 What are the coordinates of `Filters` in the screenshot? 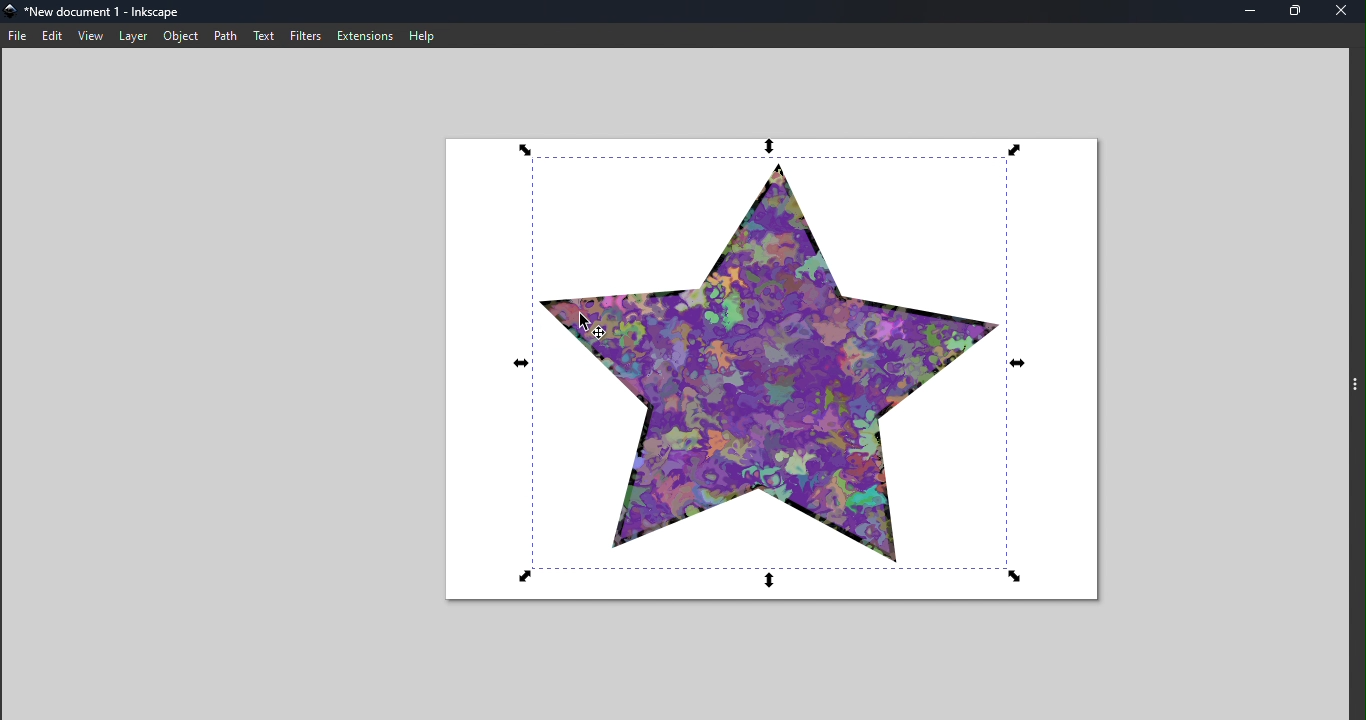 It's located at (304, 34).